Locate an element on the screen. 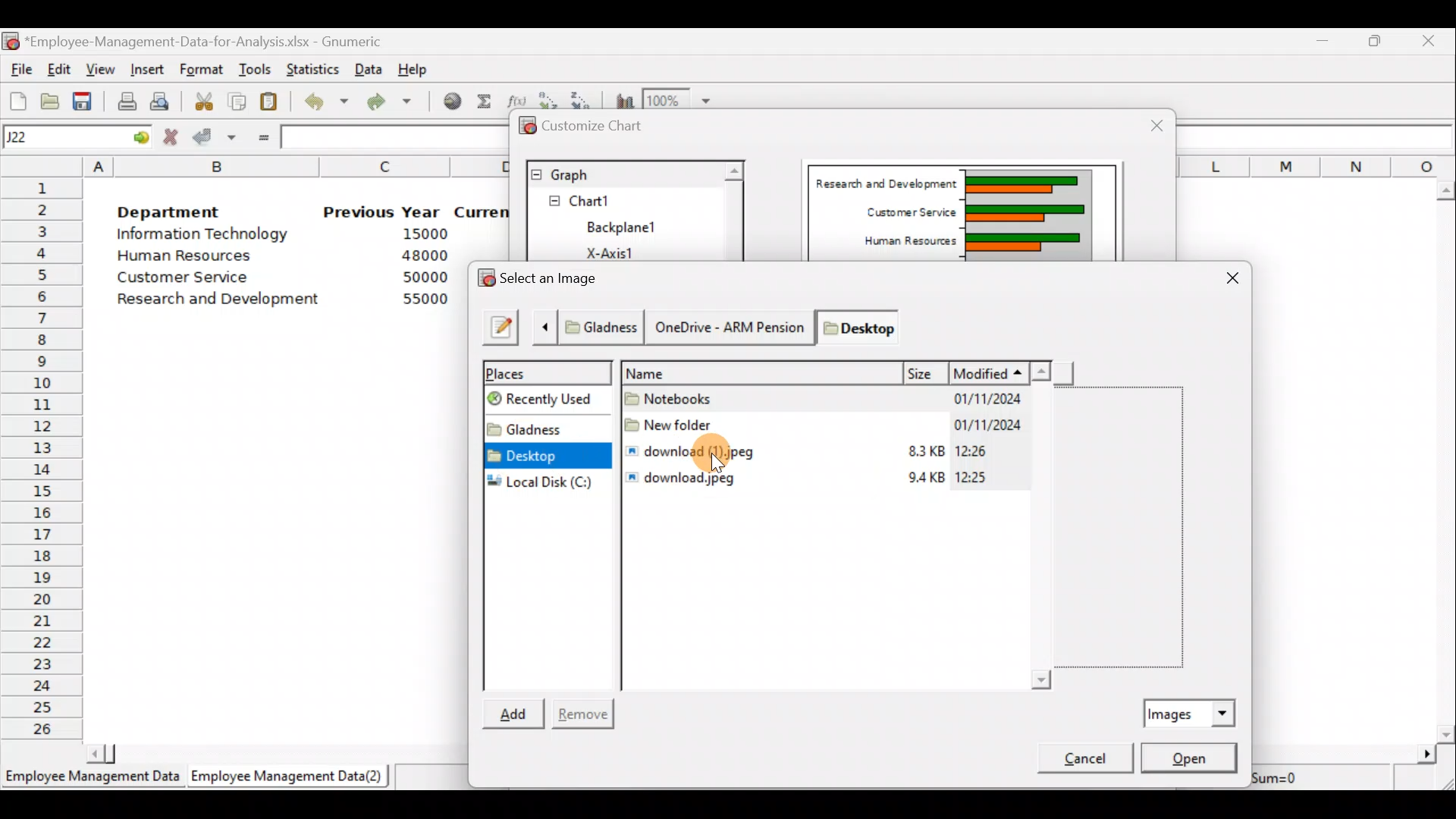 Image resolution: width=1456 pixels, height=819 pixels. Edit is located at coordinates (61, 68).